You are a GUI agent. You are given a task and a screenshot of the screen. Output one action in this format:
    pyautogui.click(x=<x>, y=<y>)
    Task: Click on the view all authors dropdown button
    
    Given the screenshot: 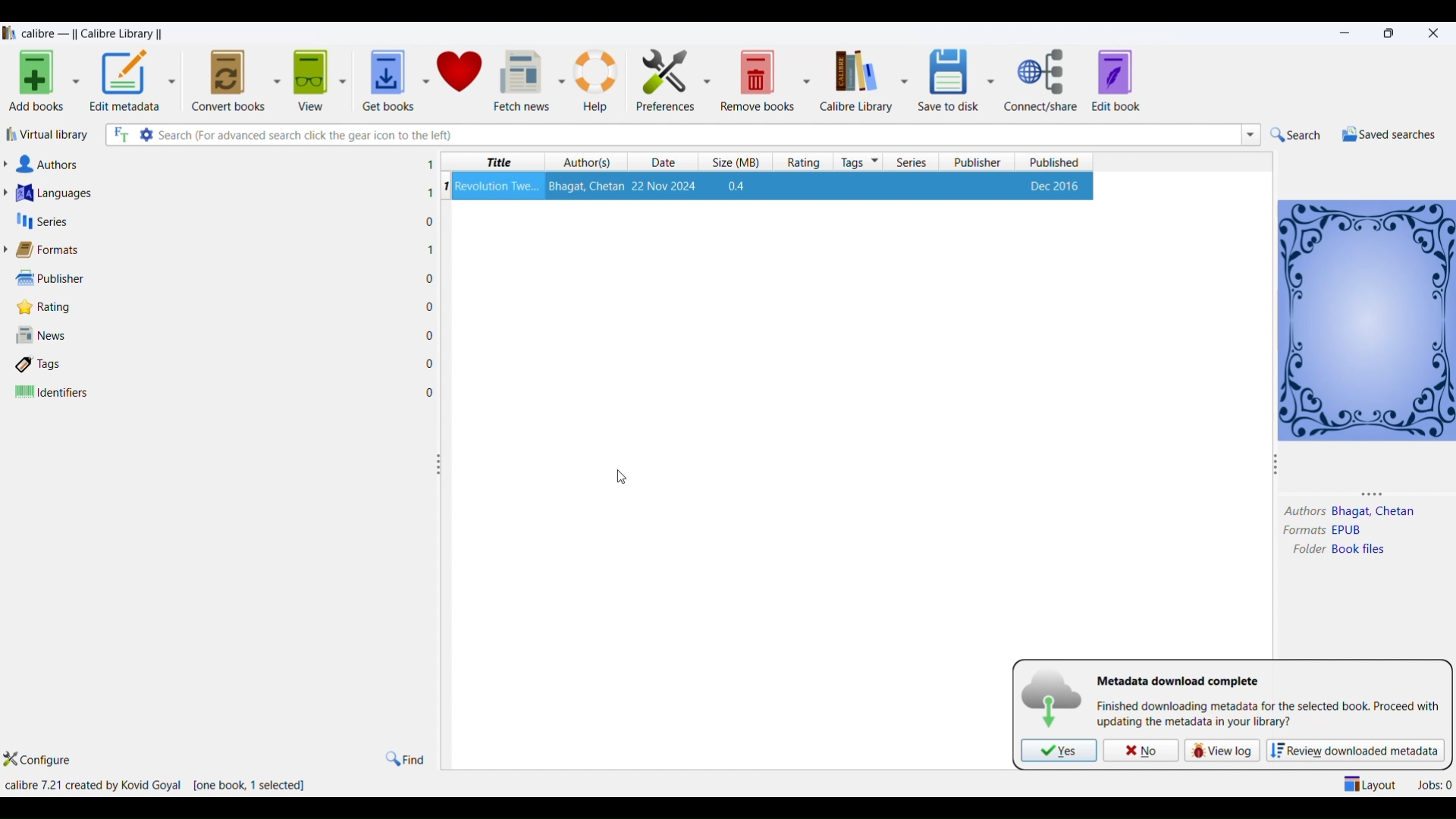 What is the action you would take?
    pyautogui.click(x=9, y=164)
    